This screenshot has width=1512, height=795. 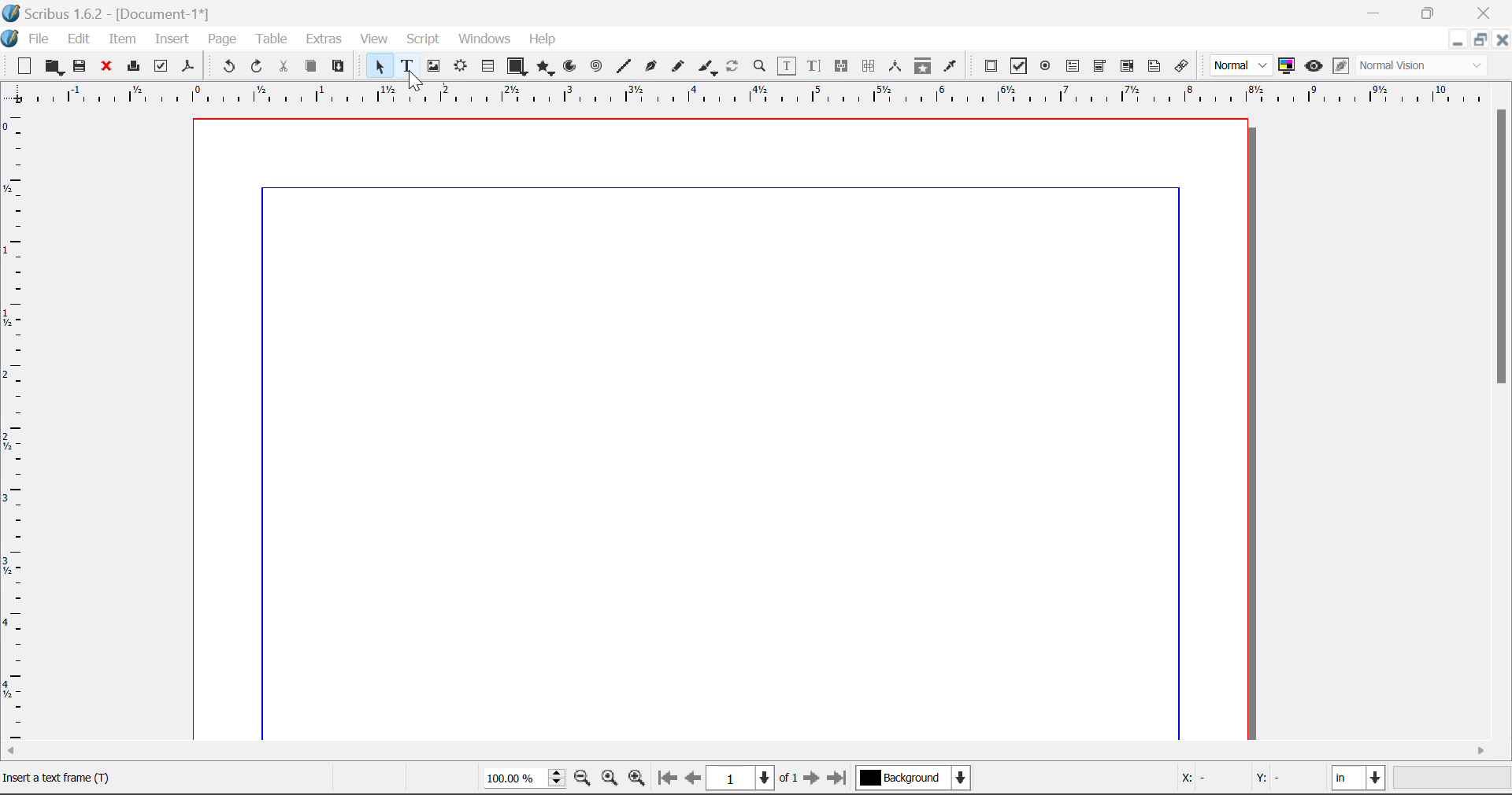 What do you see at coordinates (524, 779) in the screenshot?
I see `Zoom 100%` at bounding box center [524, 779].